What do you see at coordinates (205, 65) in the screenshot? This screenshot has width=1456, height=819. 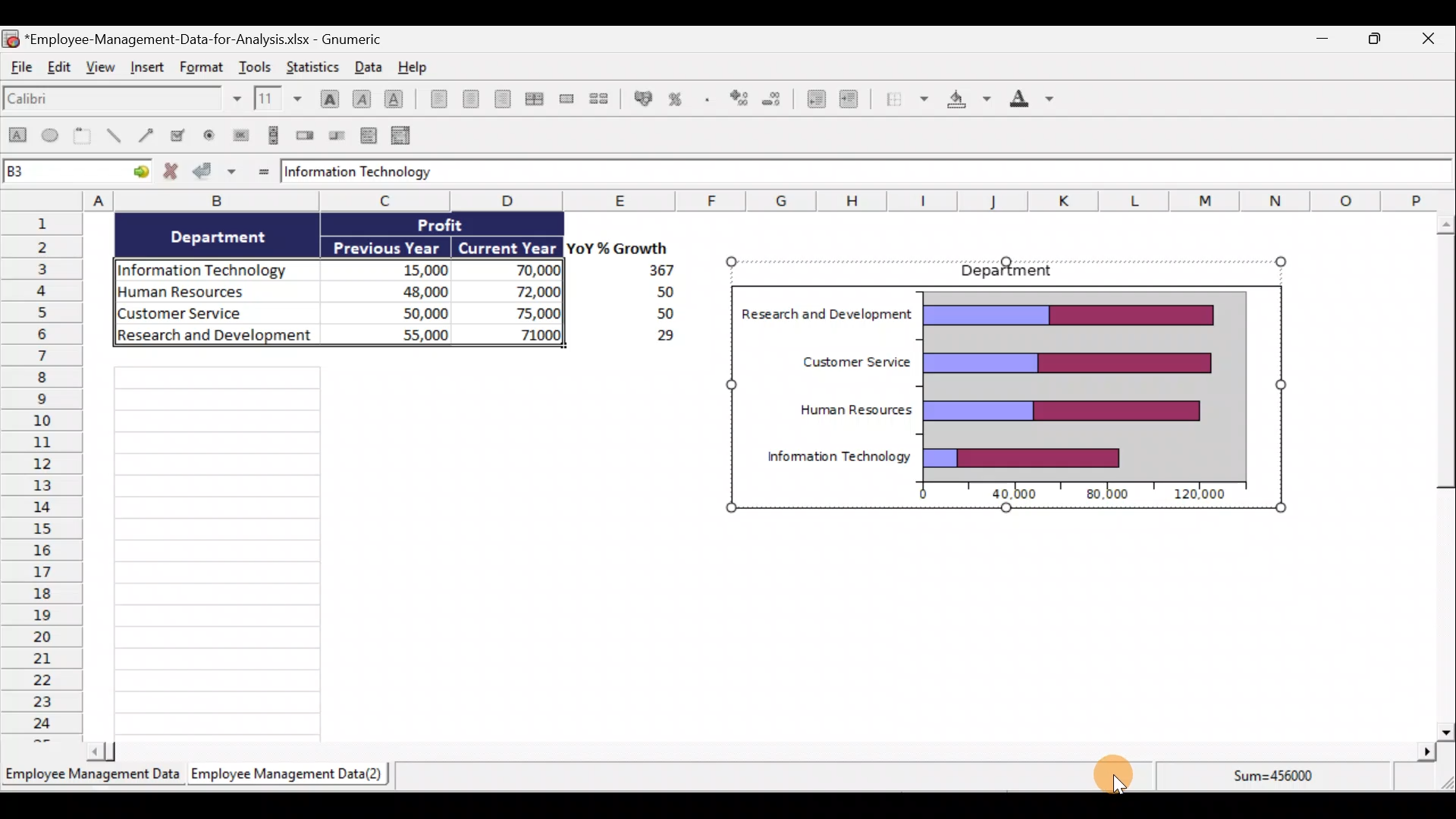 I see `Format` at bounding box center [205, 65].